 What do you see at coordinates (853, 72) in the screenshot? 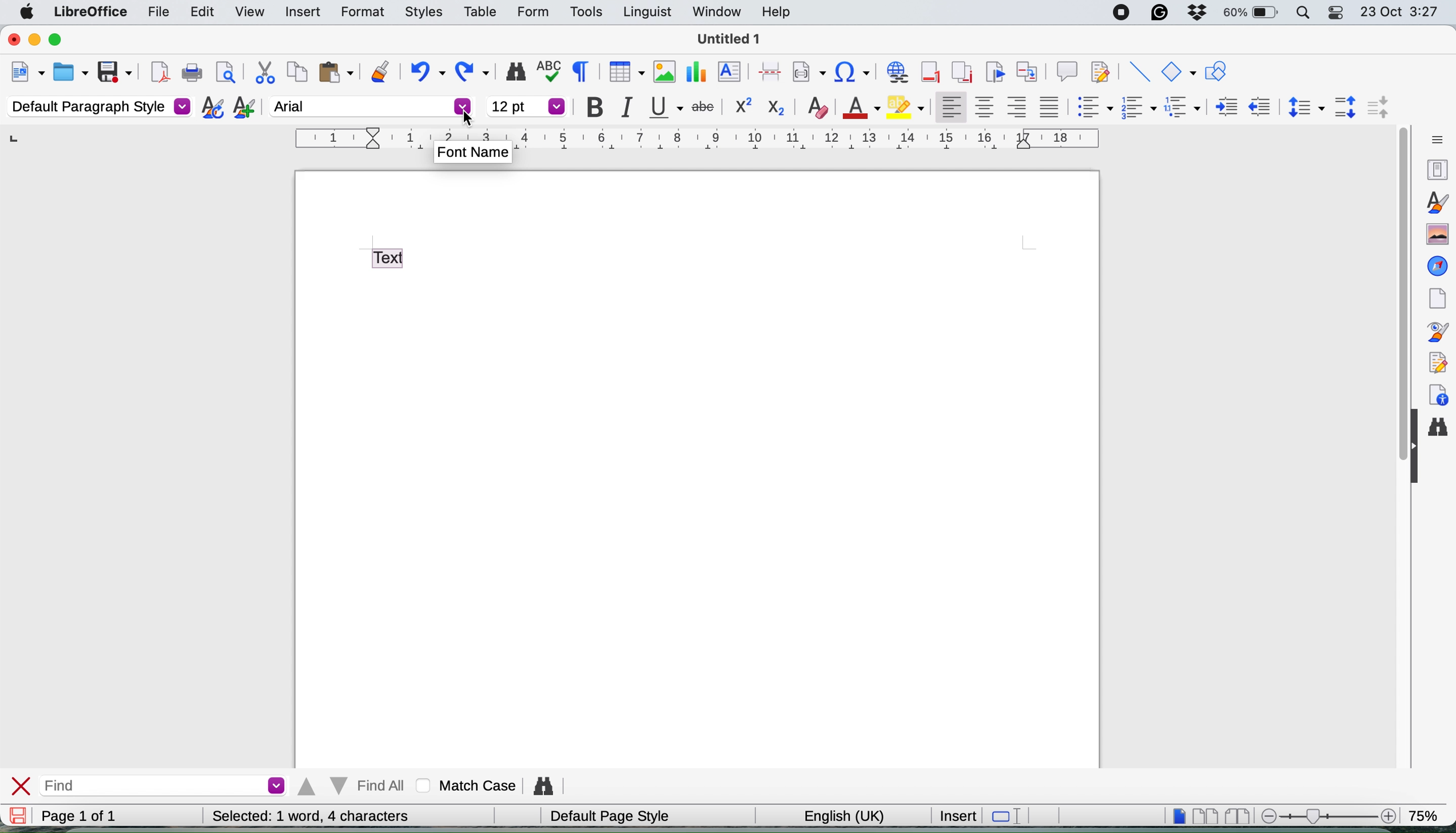
I see `insert hyperlink` at bounding box center [853, 72].